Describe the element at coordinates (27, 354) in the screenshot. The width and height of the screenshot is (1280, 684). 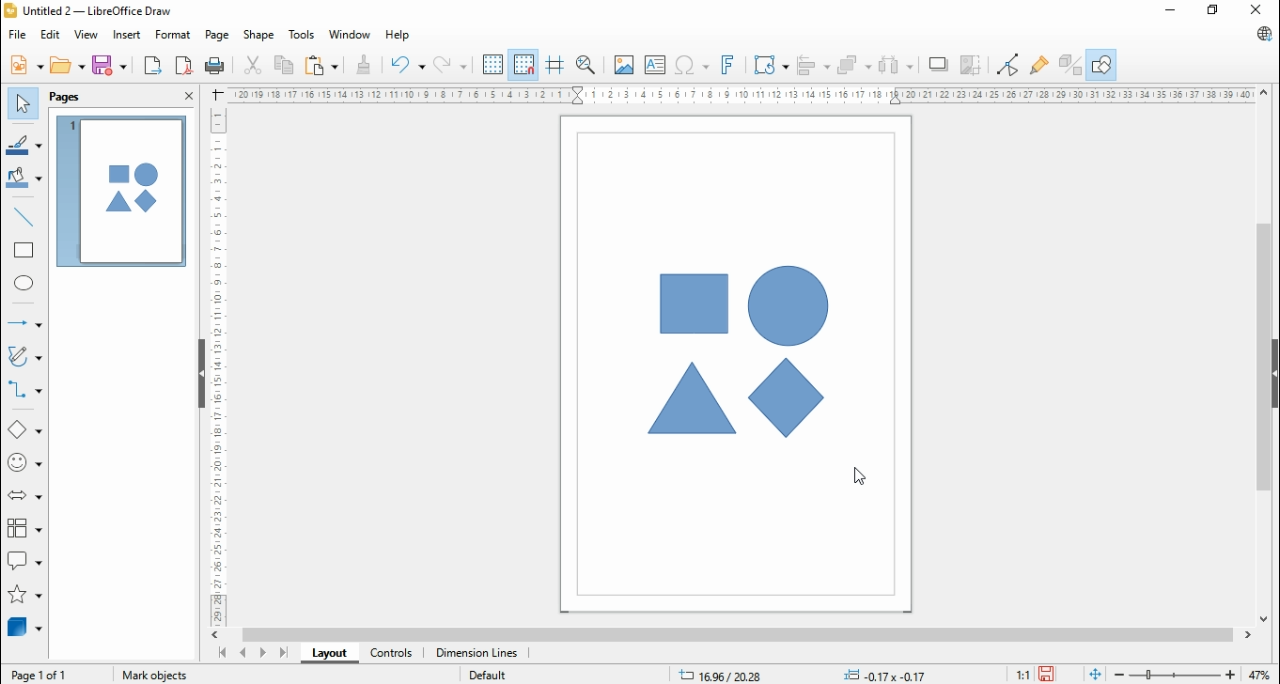
I see `curves and polygons` at that location.